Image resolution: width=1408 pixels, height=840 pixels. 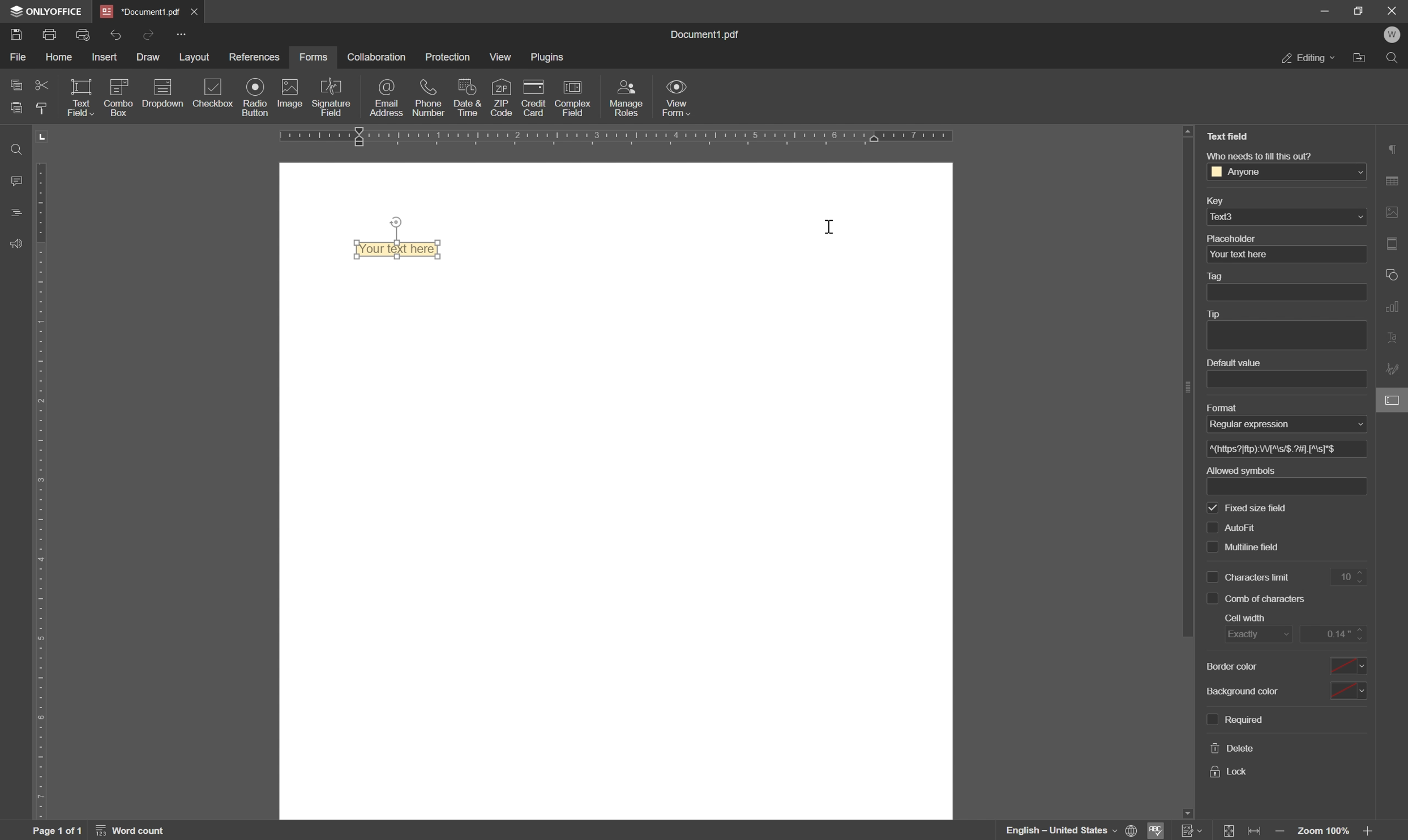 I want to click on zip code, so click(x=502, y=97).